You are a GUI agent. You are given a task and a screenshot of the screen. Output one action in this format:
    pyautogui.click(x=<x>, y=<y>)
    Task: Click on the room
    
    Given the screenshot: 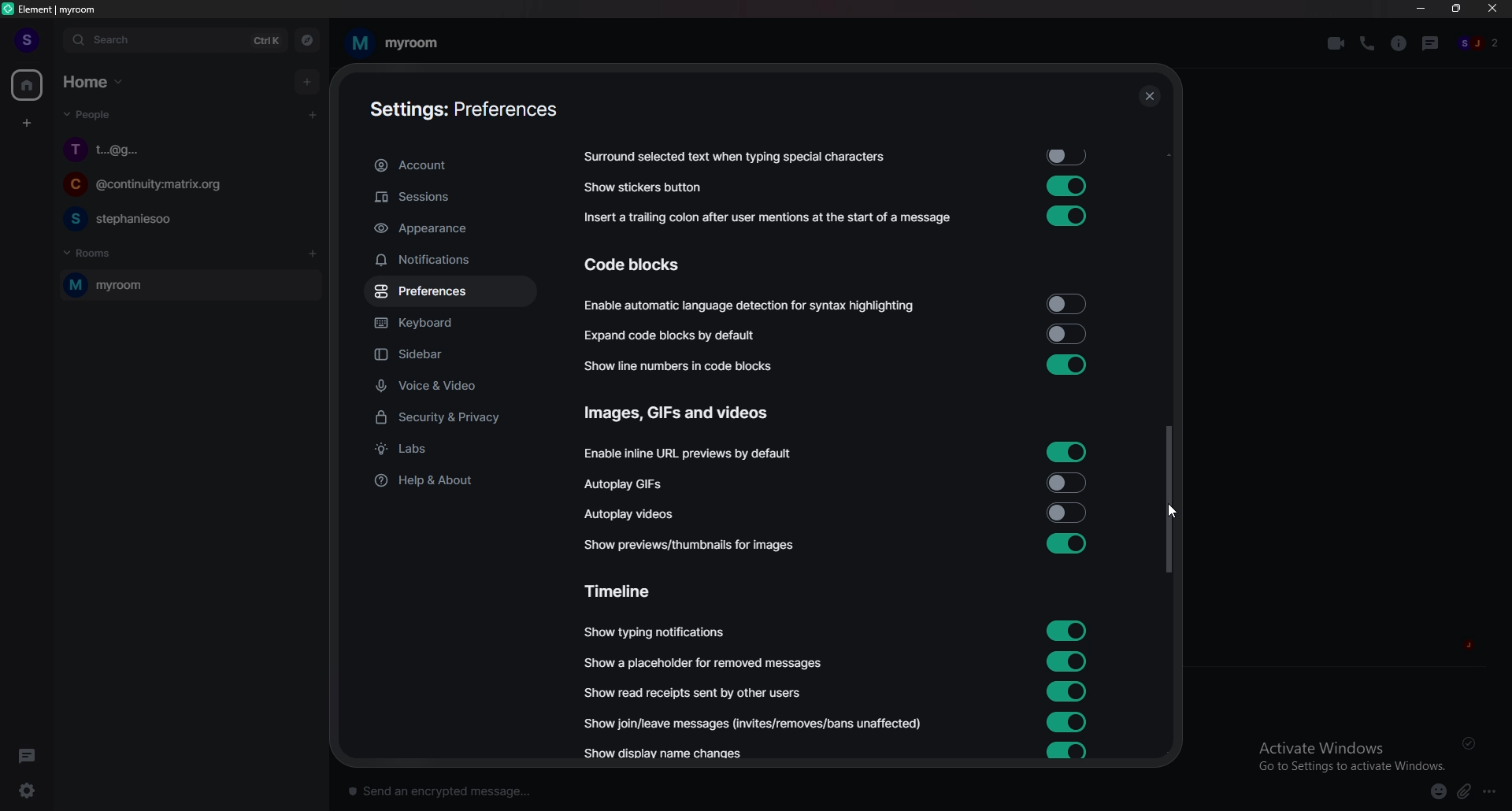 What is the action you would take?
    pyautogui.click(x=393, y=43)
    